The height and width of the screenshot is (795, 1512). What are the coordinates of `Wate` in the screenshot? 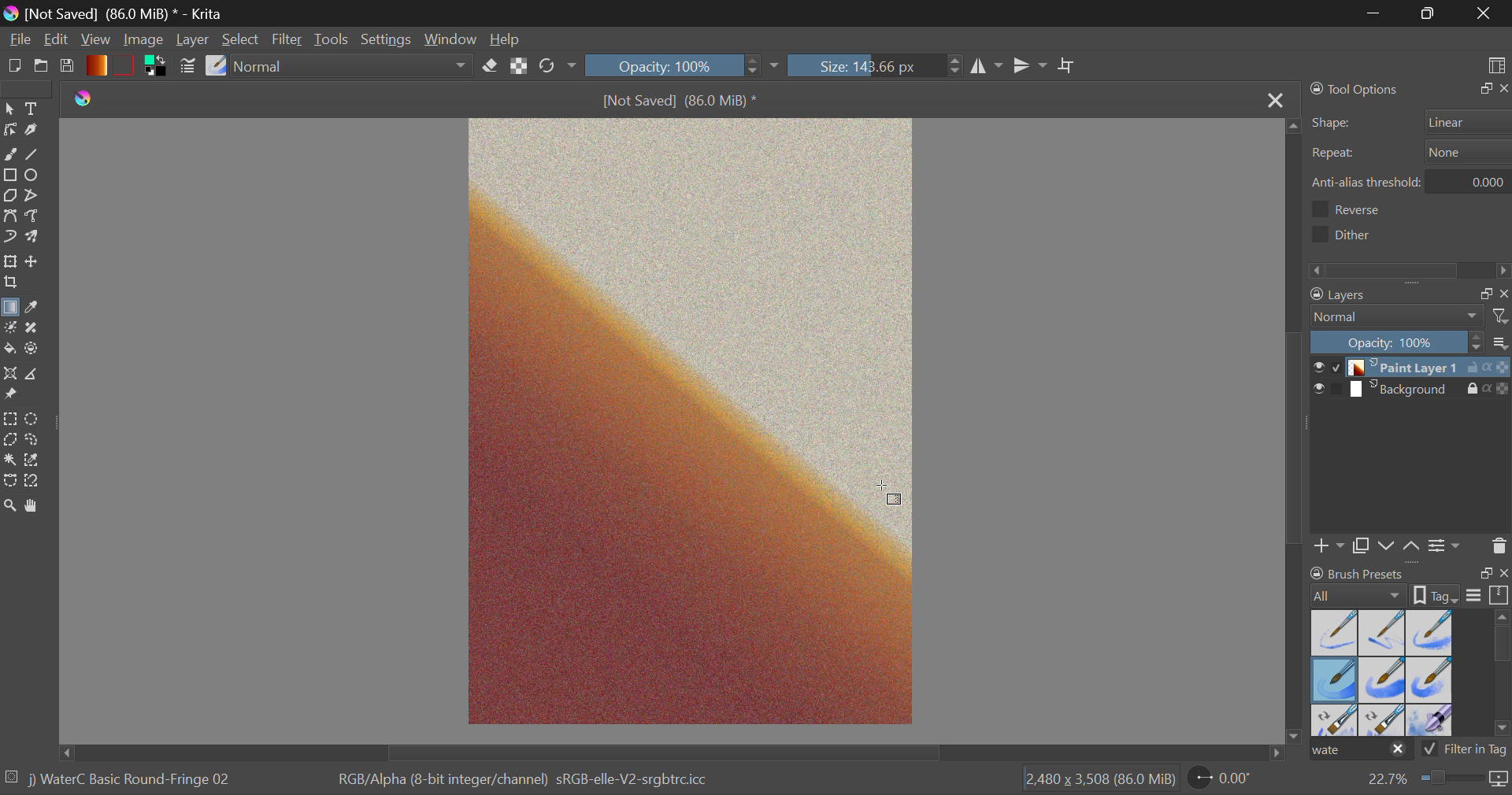 It's located at (1361, 751).